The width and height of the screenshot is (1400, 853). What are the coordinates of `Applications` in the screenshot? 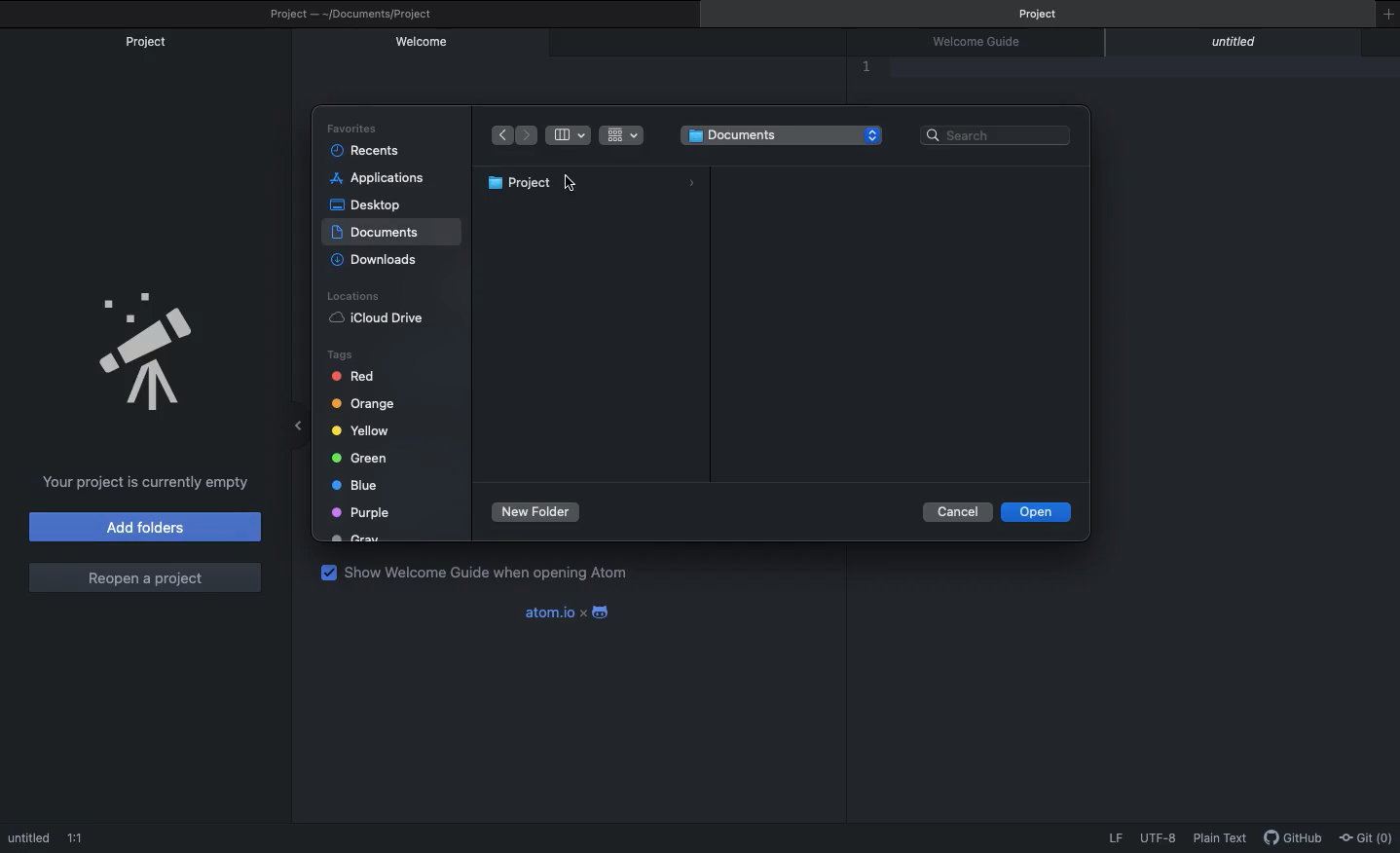 It's located at (382, 178).